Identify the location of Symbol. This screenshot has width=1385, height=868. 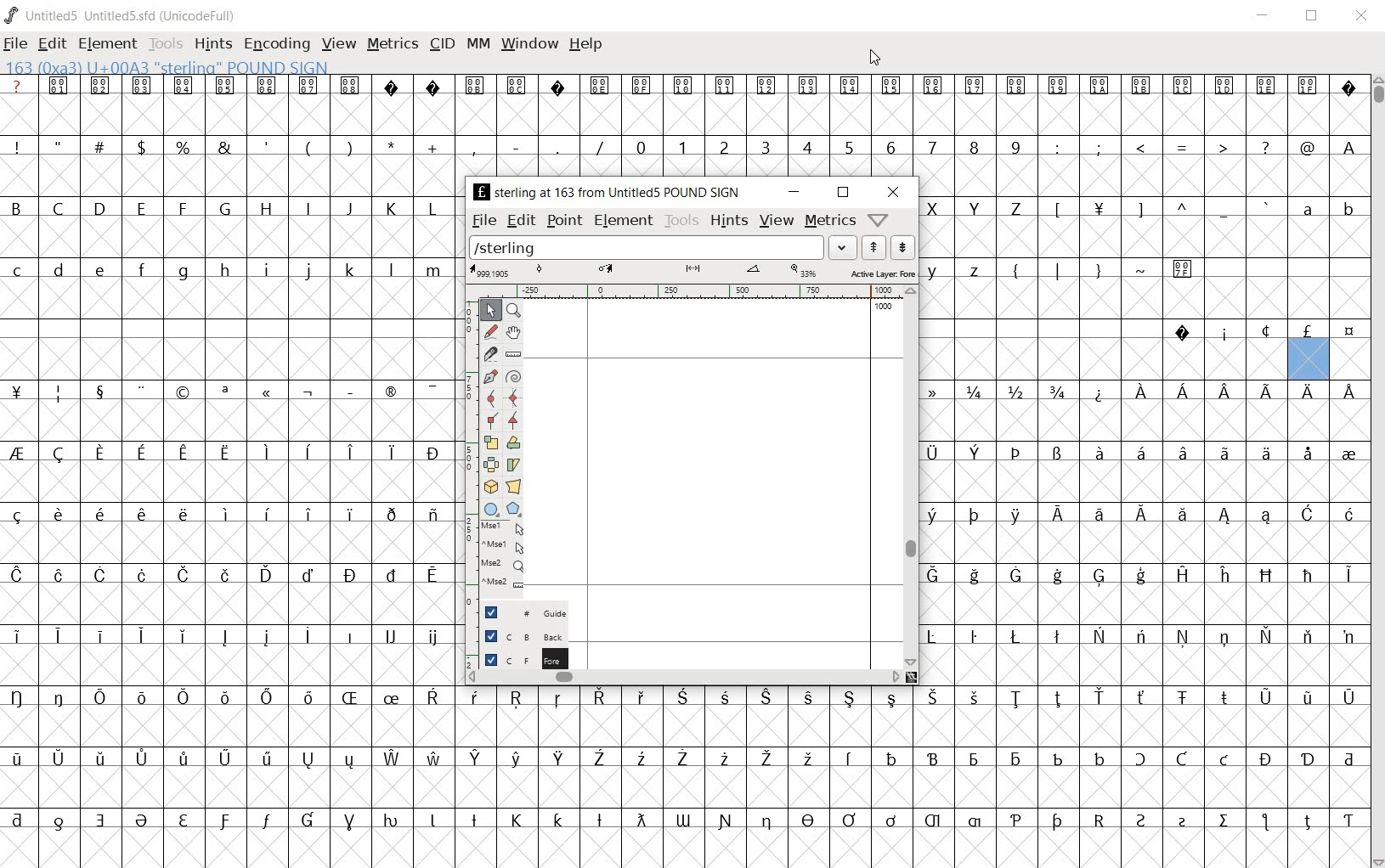
(1096, 454).